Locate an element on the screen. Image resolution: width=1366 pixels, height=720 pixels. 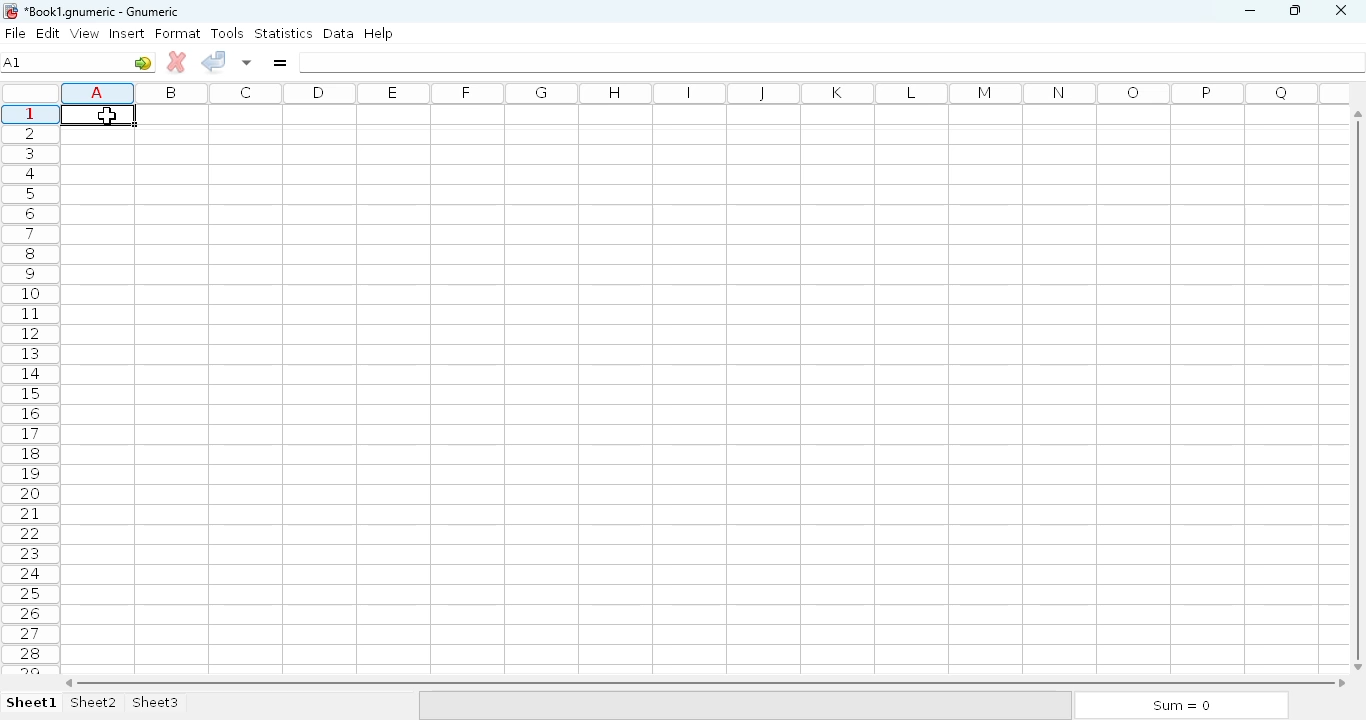
sheet1 is located at coordinates (32, 703).